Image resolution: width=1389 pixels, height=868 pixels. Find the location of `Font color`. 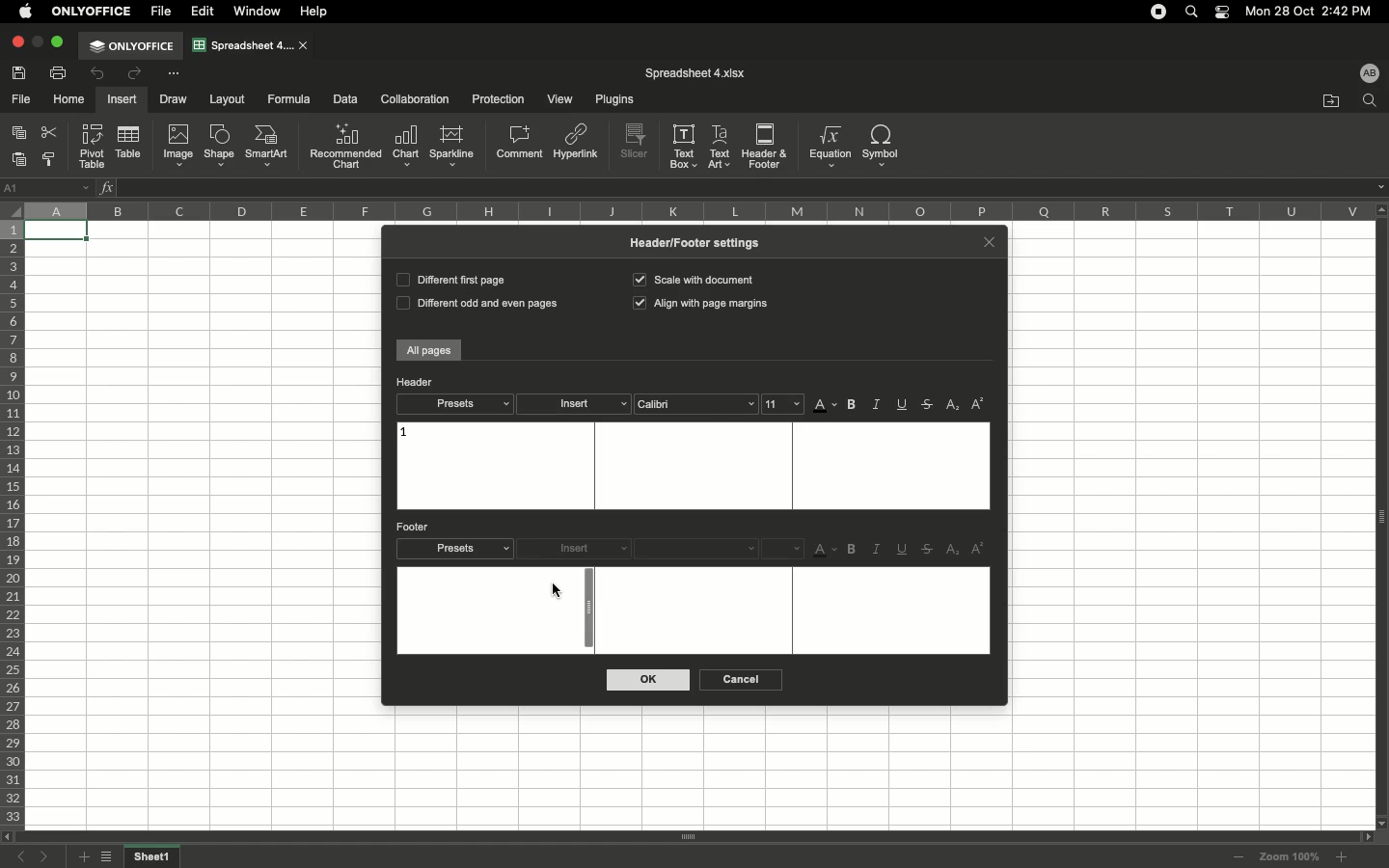

Font color is located at coordinates (826, 406).